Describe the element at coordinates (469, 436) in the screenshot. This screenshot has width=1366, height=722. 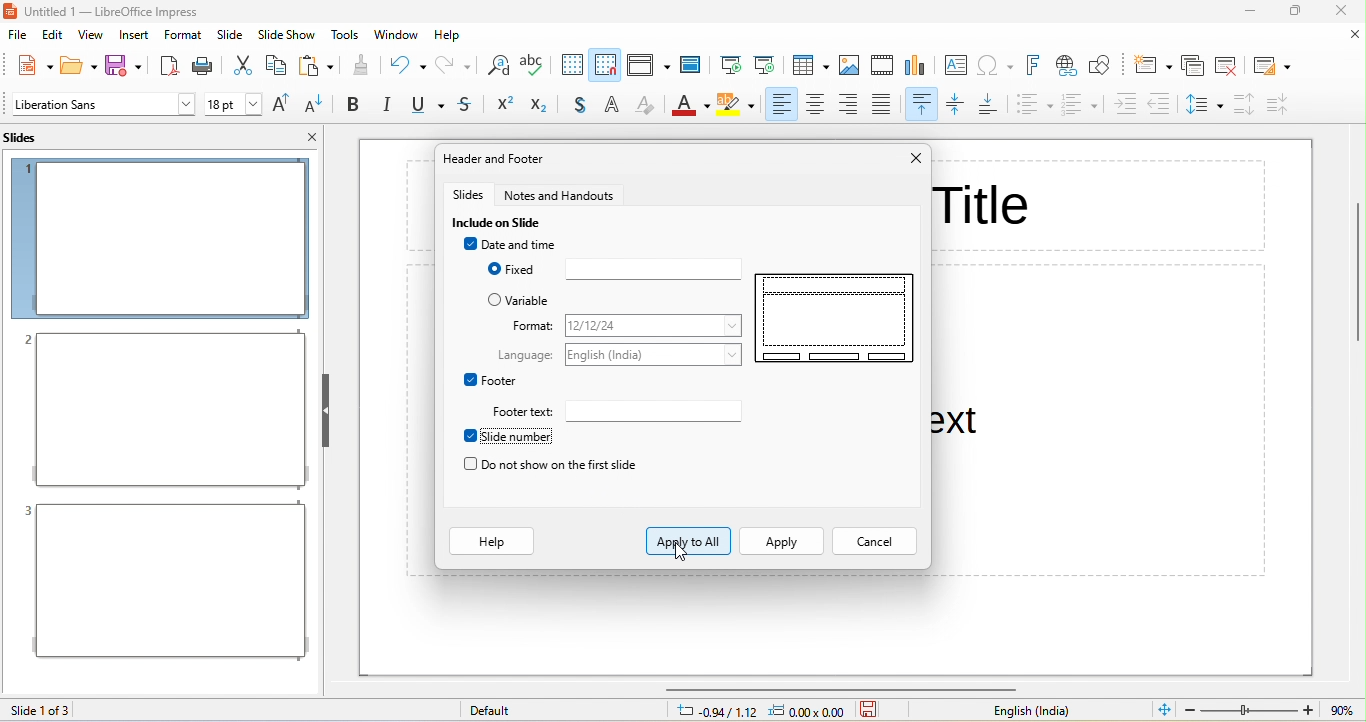
I see `Checkbox` at that location.